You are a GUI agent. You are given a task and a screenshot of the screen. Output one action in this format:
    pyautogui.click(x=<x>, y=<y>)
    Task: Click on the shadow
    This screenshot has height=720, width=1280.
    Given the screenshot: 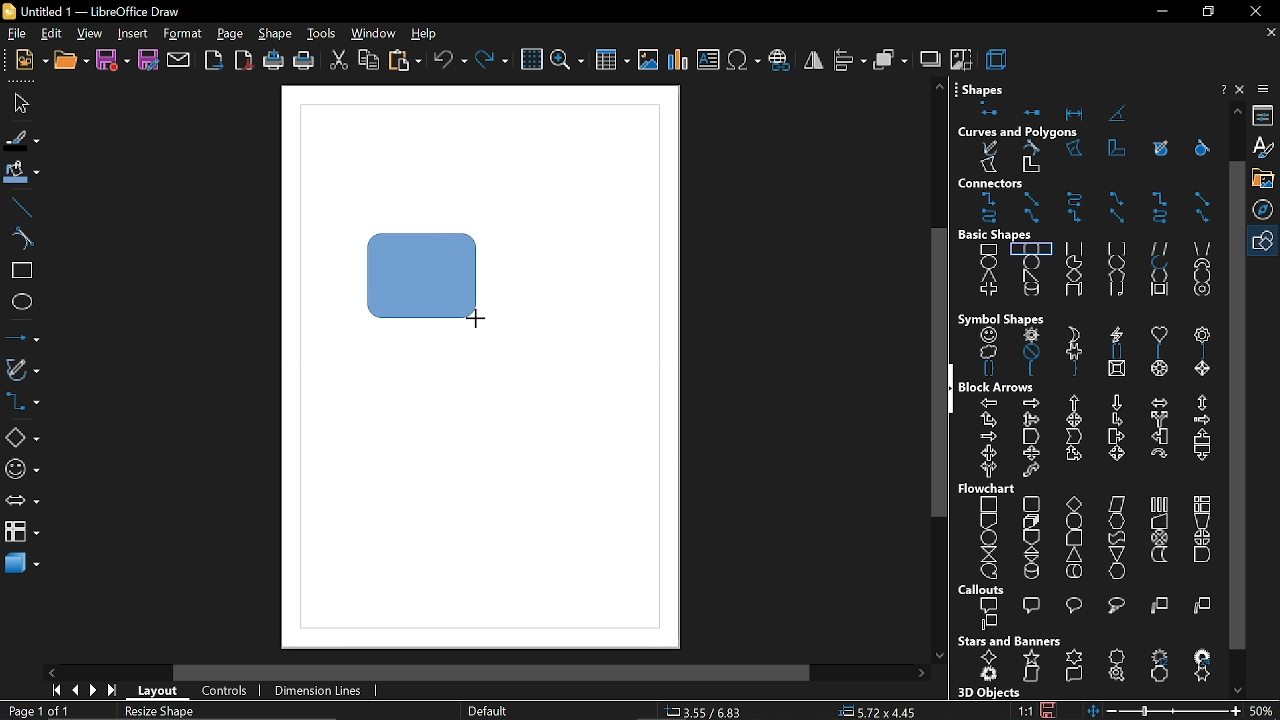 What is the action you would take?
    pyautogui.click(x=929, y=58)
    